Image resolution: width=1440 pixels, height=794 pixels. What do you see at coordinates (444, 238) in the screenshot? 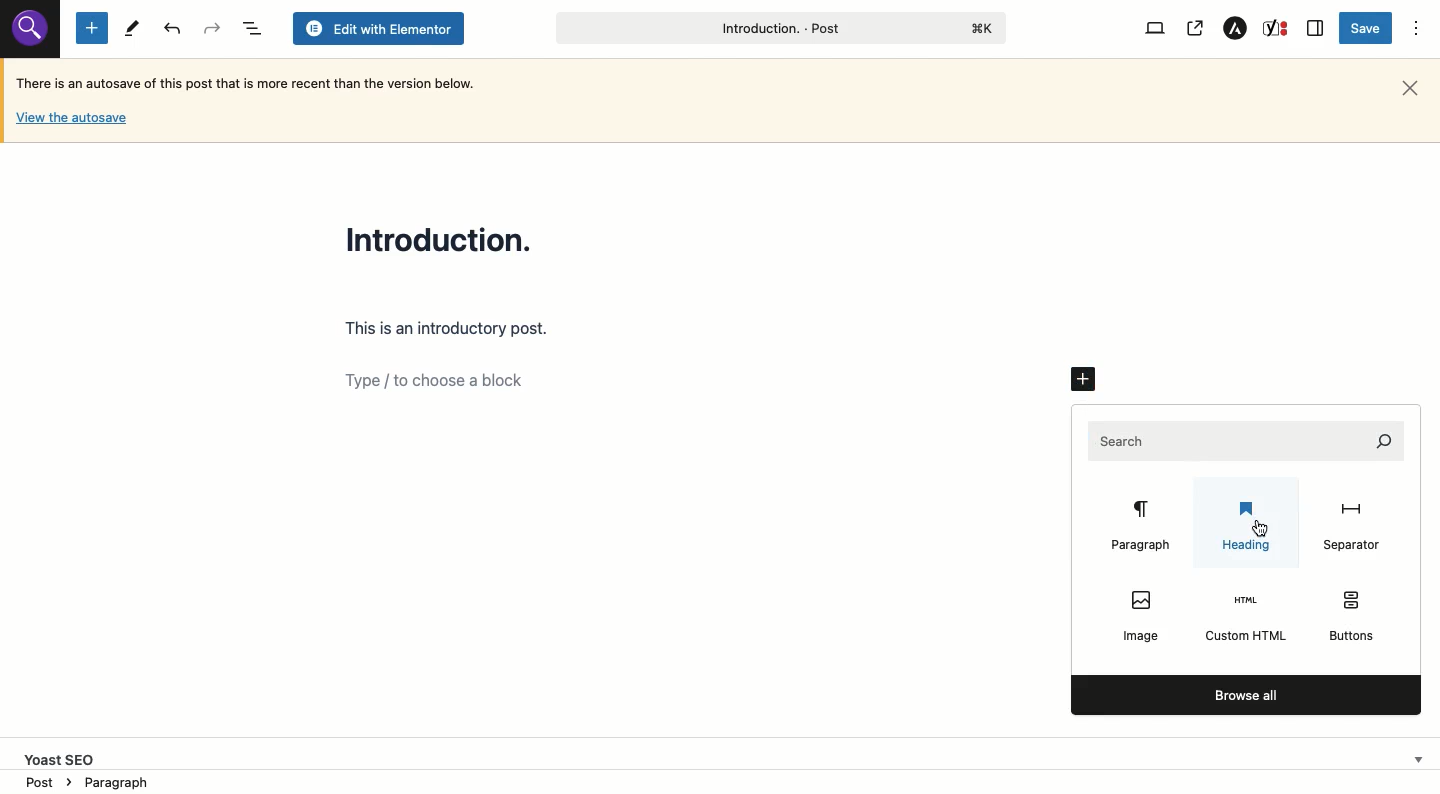
I see `Title` at bounding box center [444, 238].